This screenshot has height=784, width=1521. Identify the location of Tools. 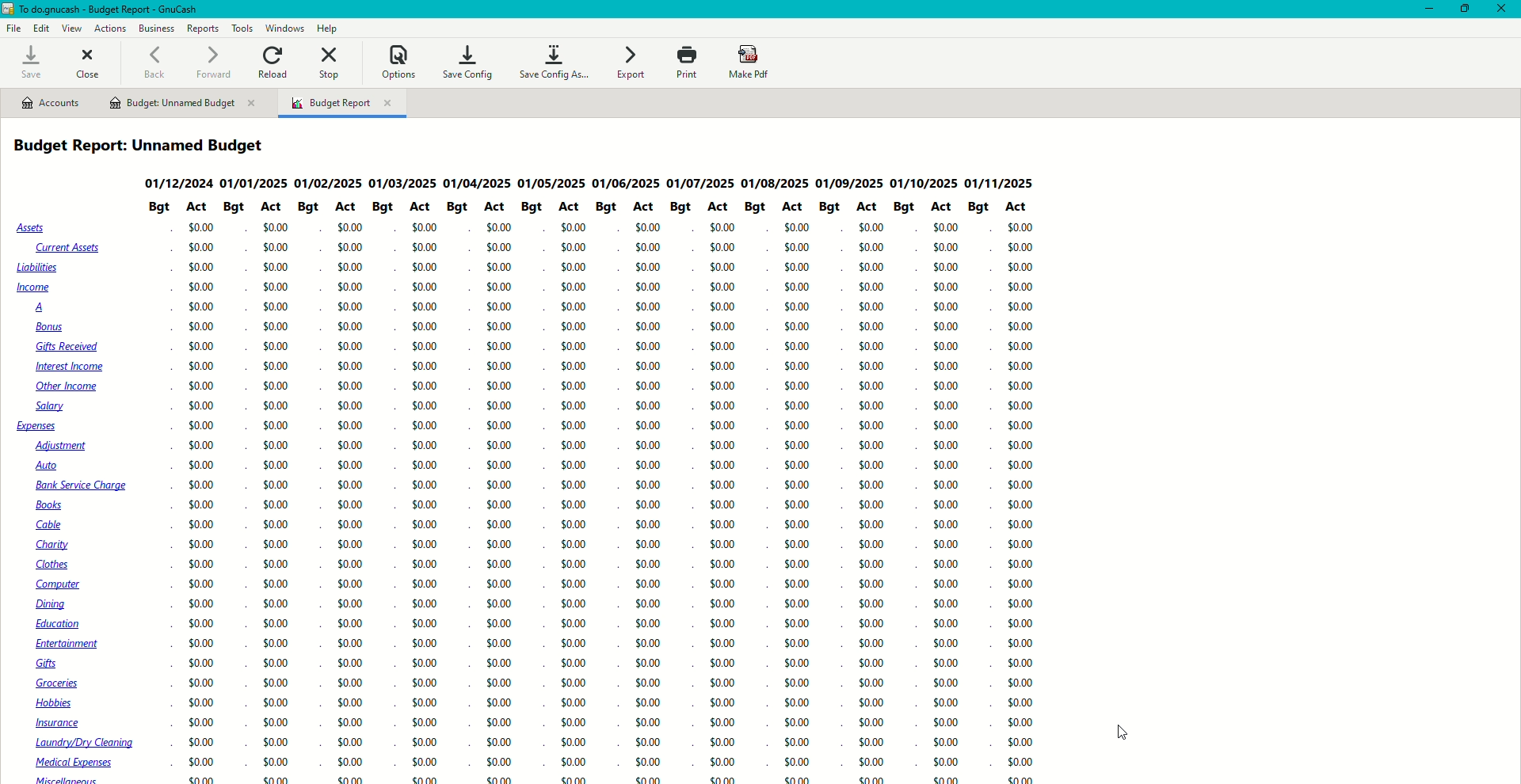
(240, 28).